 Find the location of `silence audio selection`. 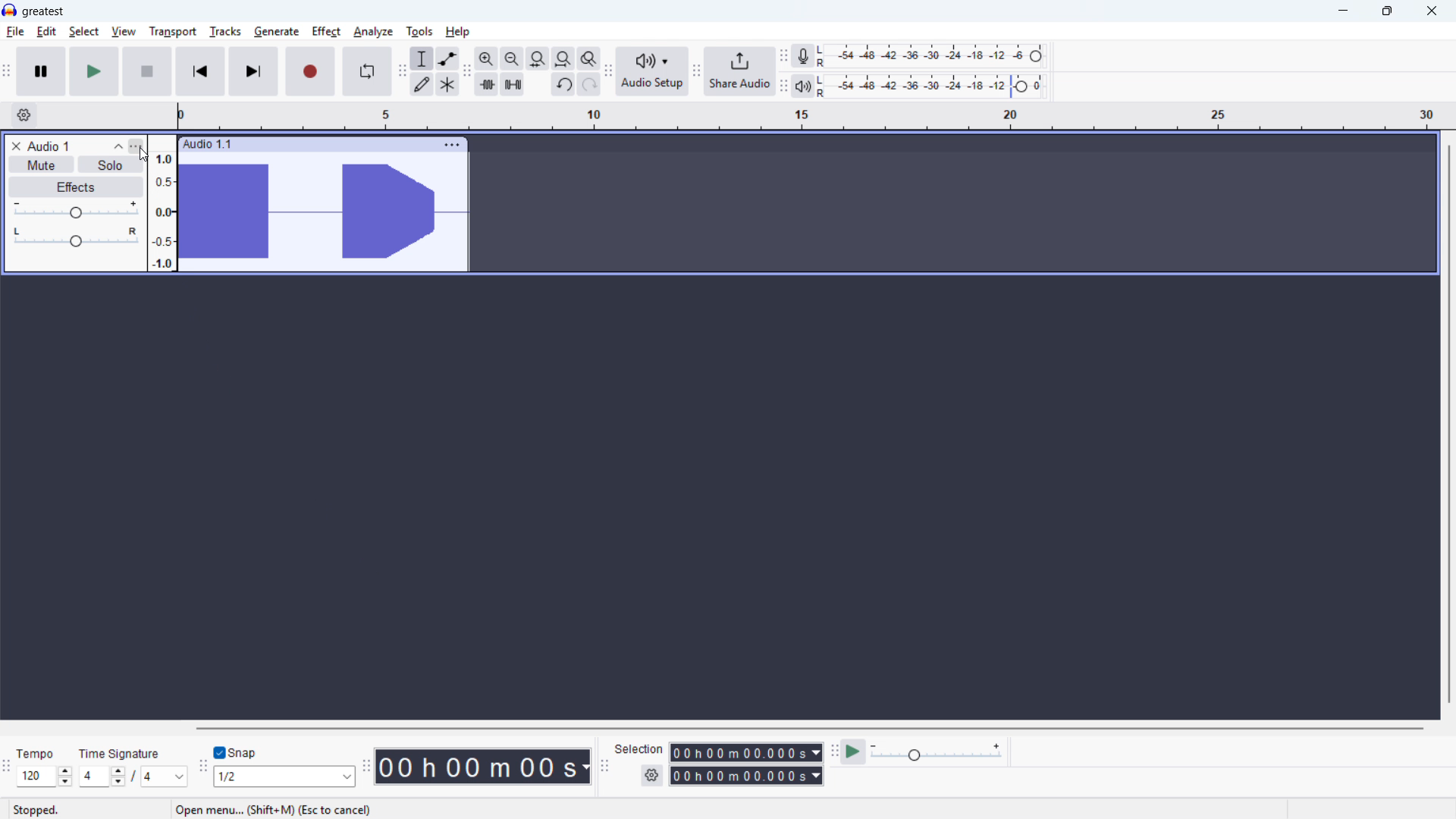

silence audio selection is located at coordinates (513, 85).